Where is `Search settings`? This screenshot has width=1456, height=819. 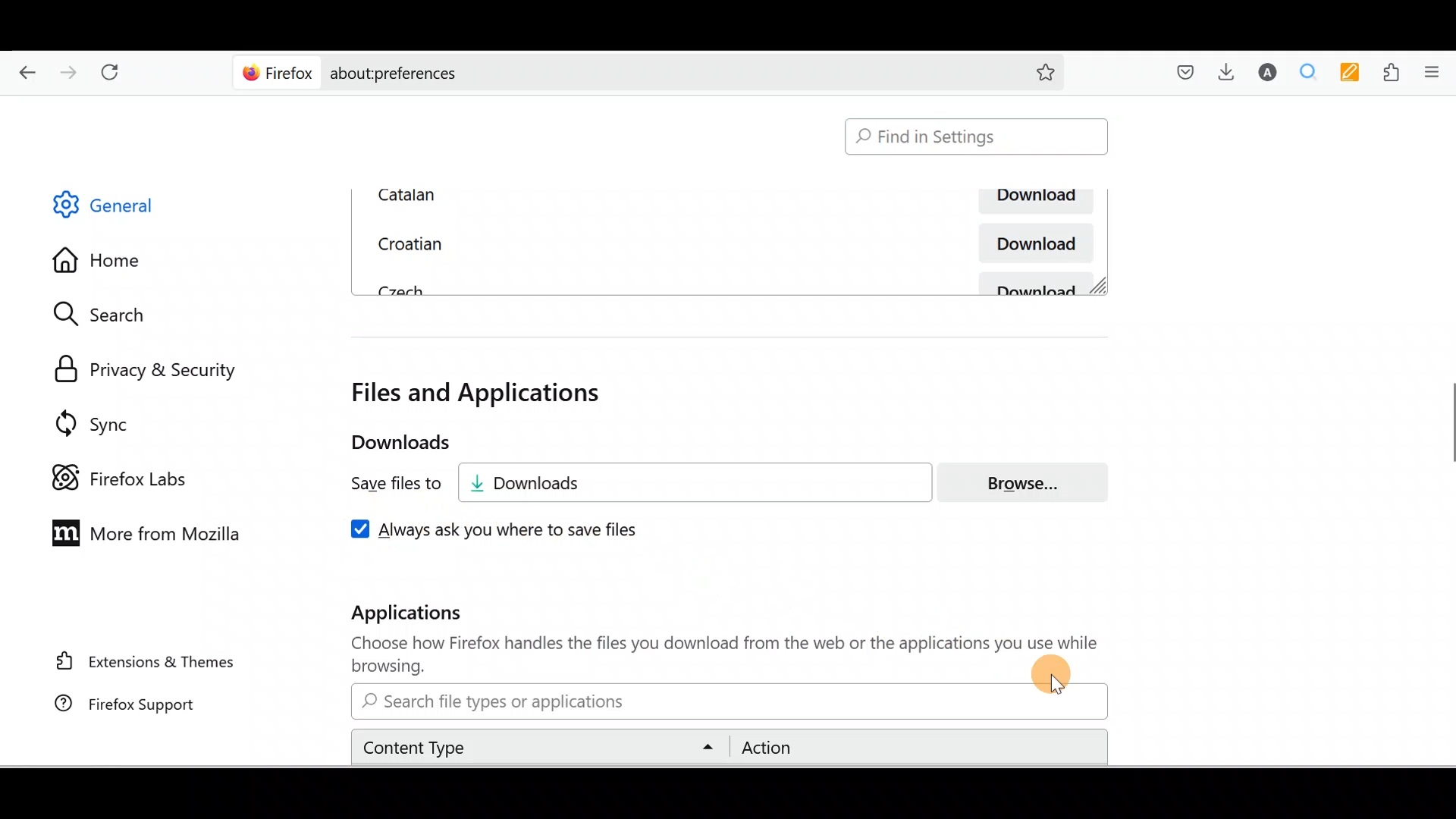
Search settings is located at coordinates (113, 315).